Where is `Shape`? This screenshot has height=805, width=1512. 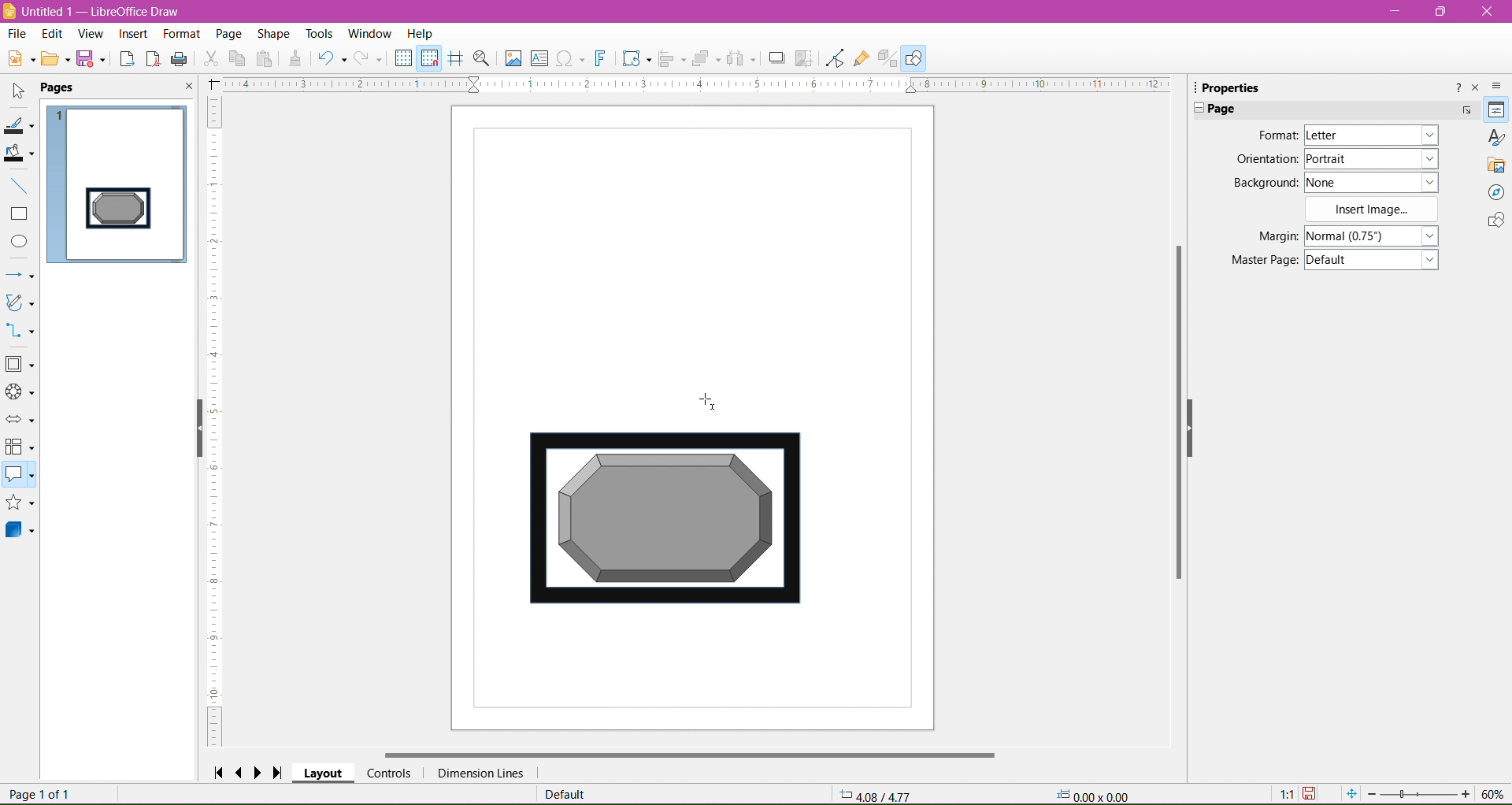
Shape is located at coordinates (273, 33).